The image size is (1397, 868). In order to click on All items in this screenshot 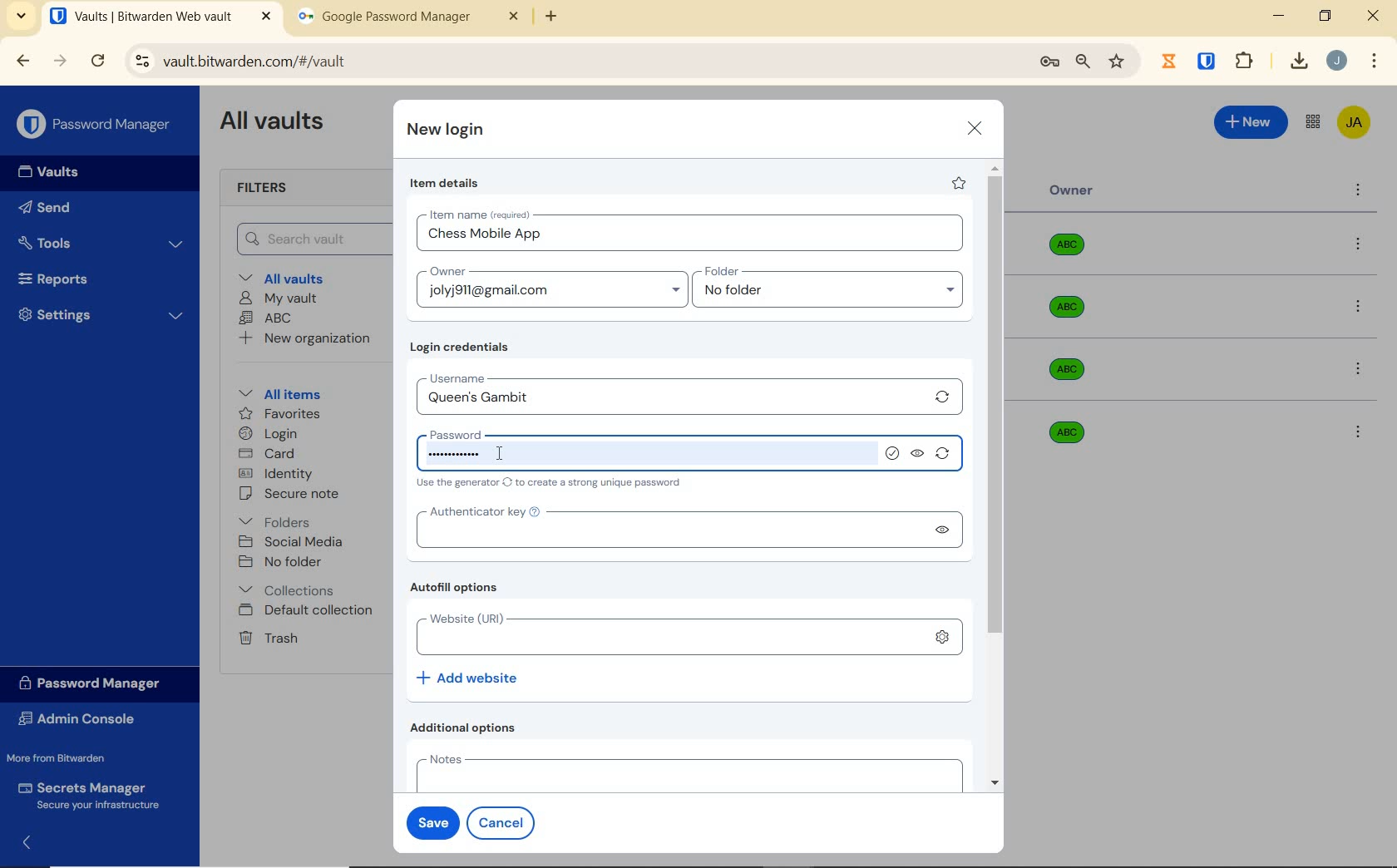, I will do `click(277, 392)`.